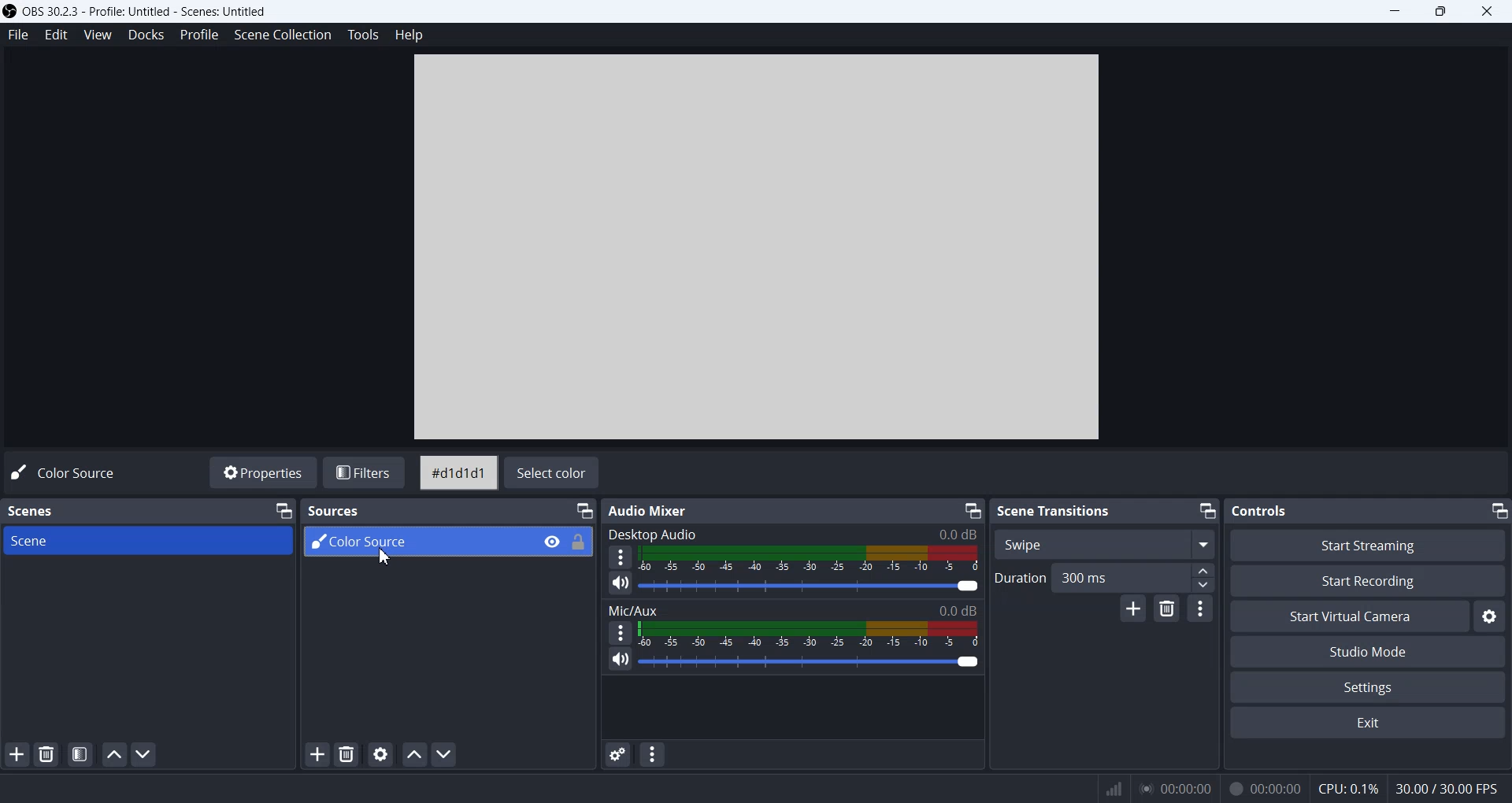  What do you see at coordinates (1369, 724) in the screenshot?
I see `Exit` at bounding box center [1369, 724].